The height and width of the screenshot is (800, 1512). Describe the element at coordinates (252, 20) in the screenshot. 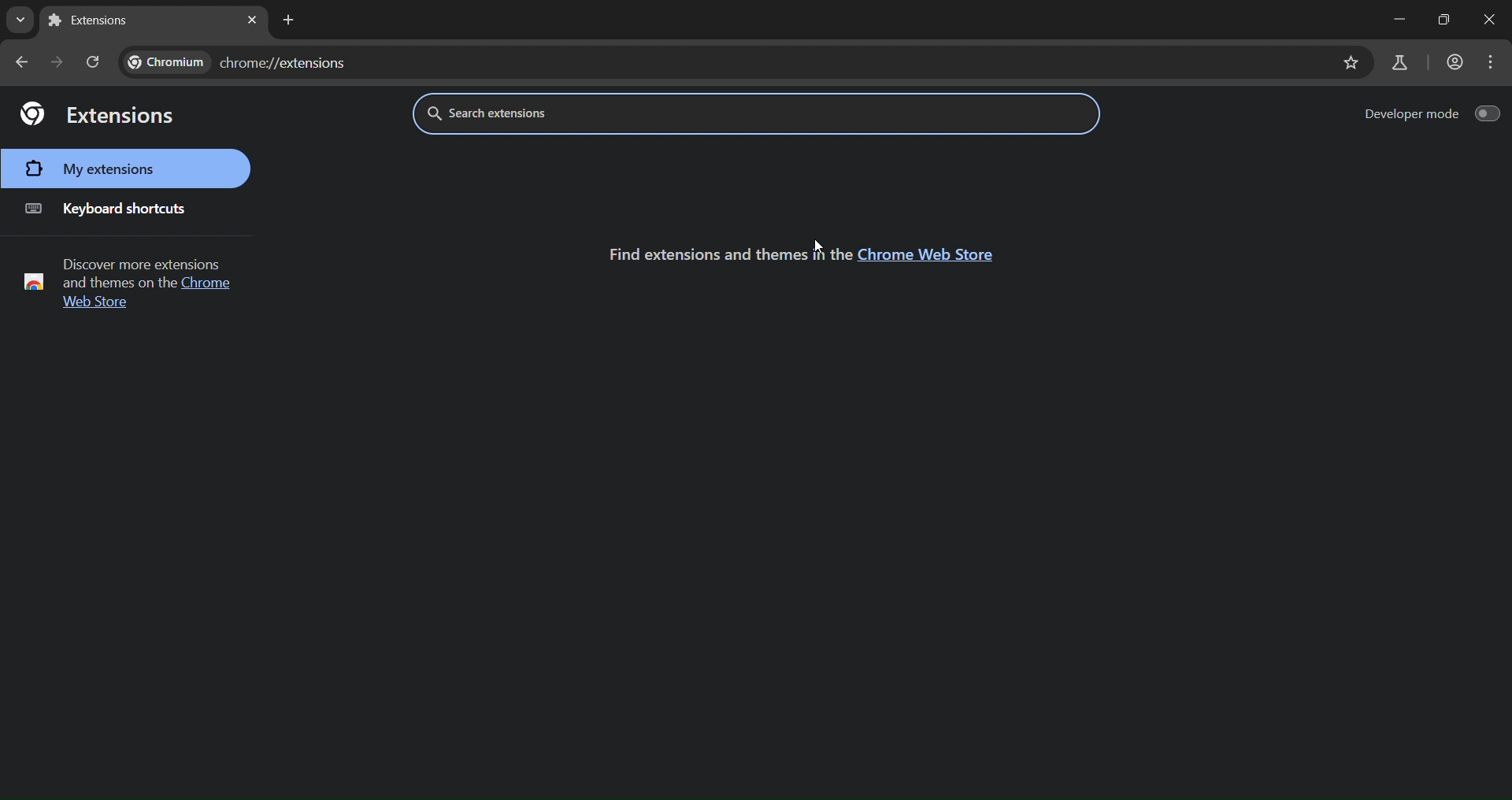

I see `close tab` at that location.